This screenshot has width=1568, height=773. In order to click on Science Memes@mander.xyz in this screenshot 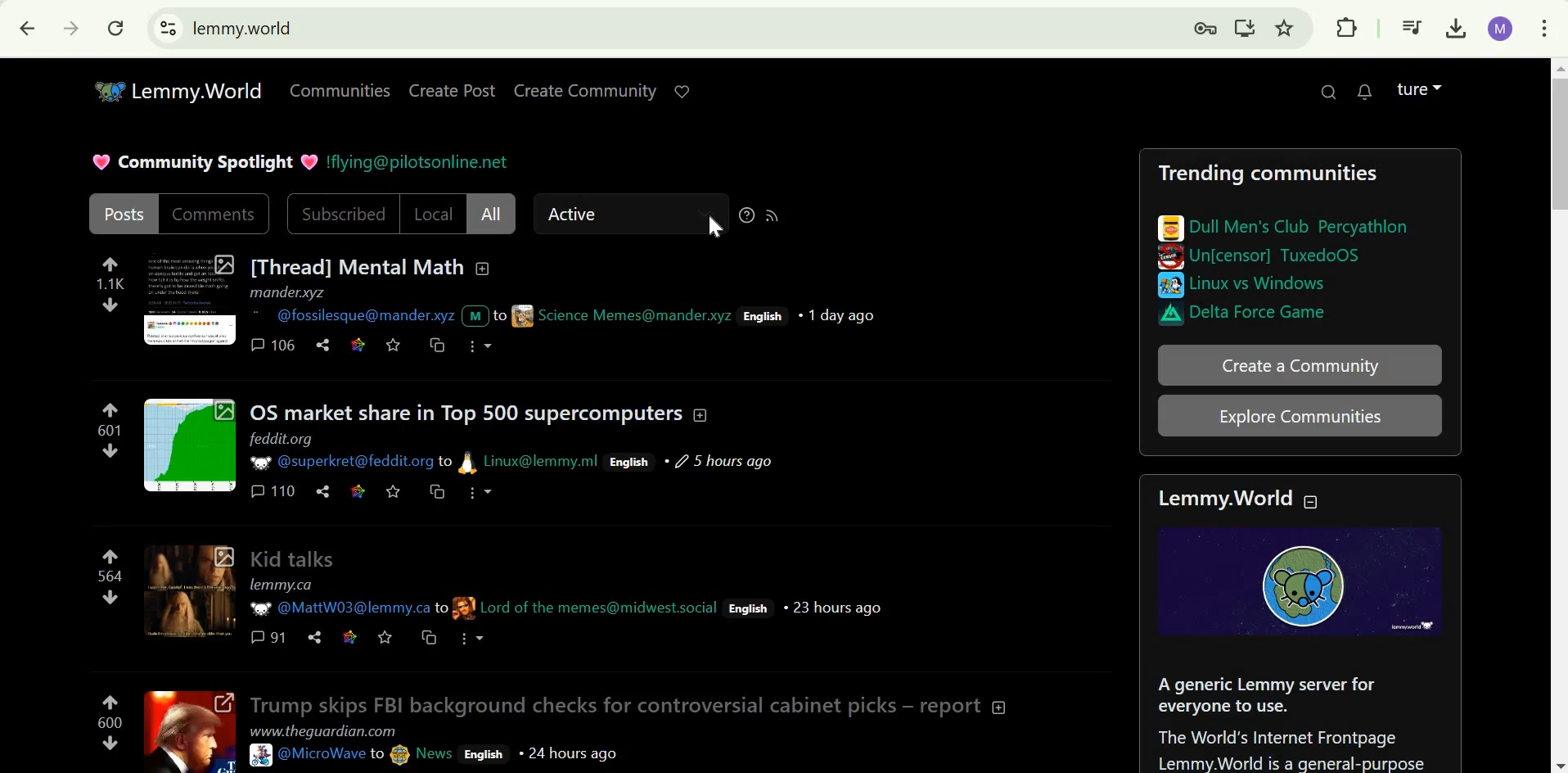, I will do `click(635, 314)`.